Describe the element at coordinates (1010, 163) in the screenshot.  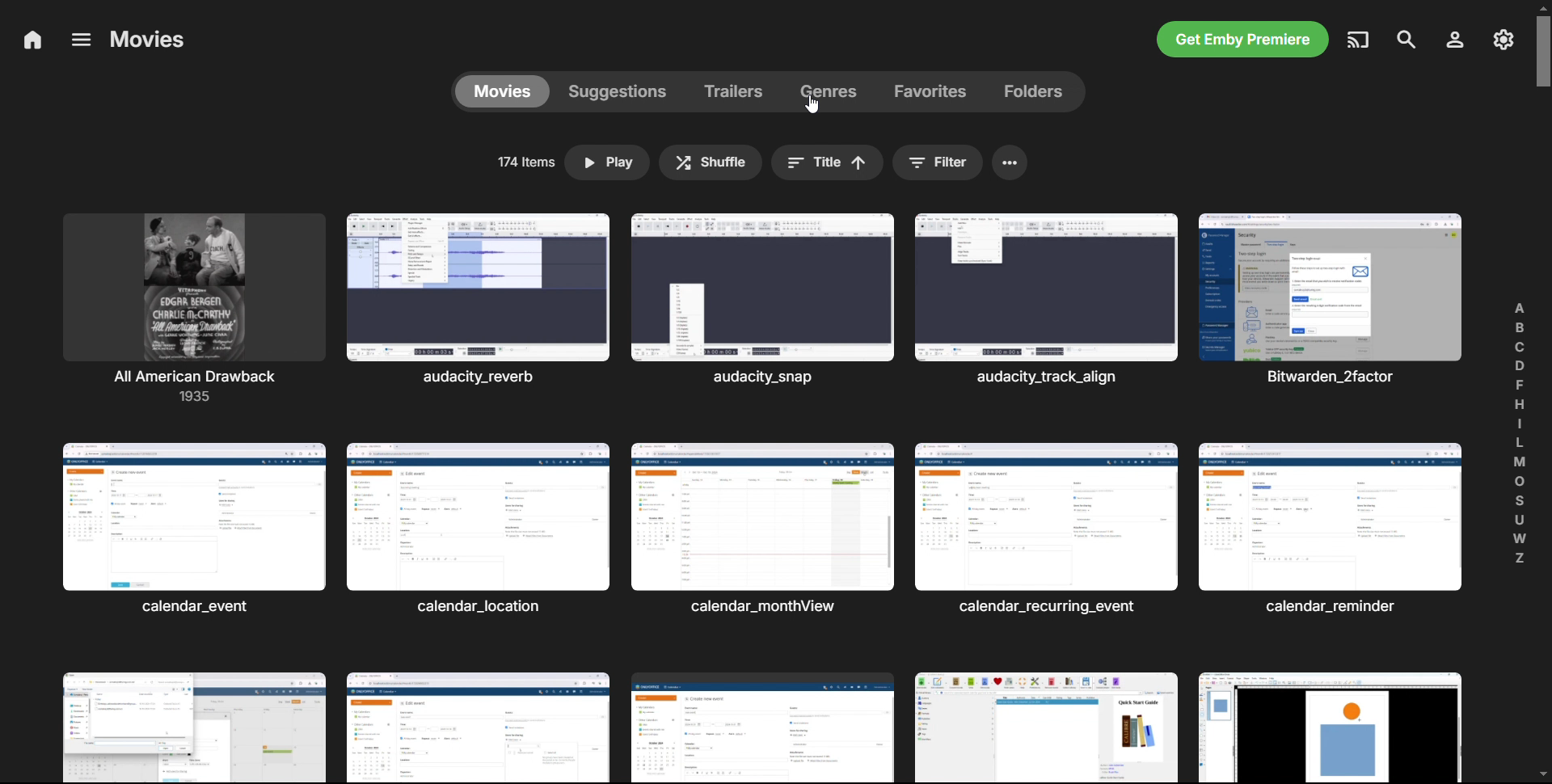
I see `options` at that location.